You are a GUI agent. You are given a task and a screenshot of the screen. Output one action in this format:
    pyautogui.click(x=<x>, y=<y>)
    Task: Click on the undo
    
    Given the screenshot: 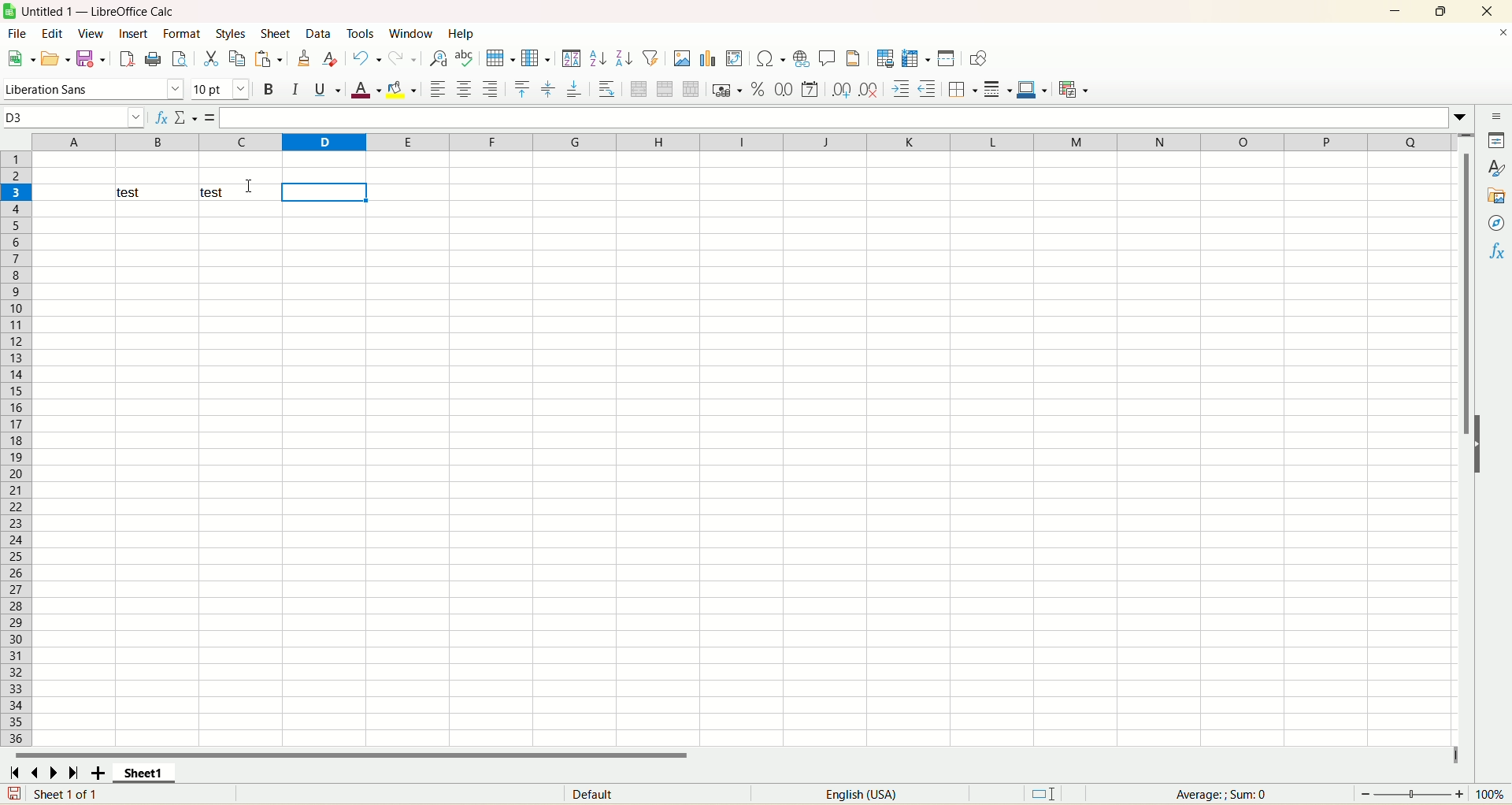 What is the action you would take?
    pyautogui.click(x=366, y=58)
    